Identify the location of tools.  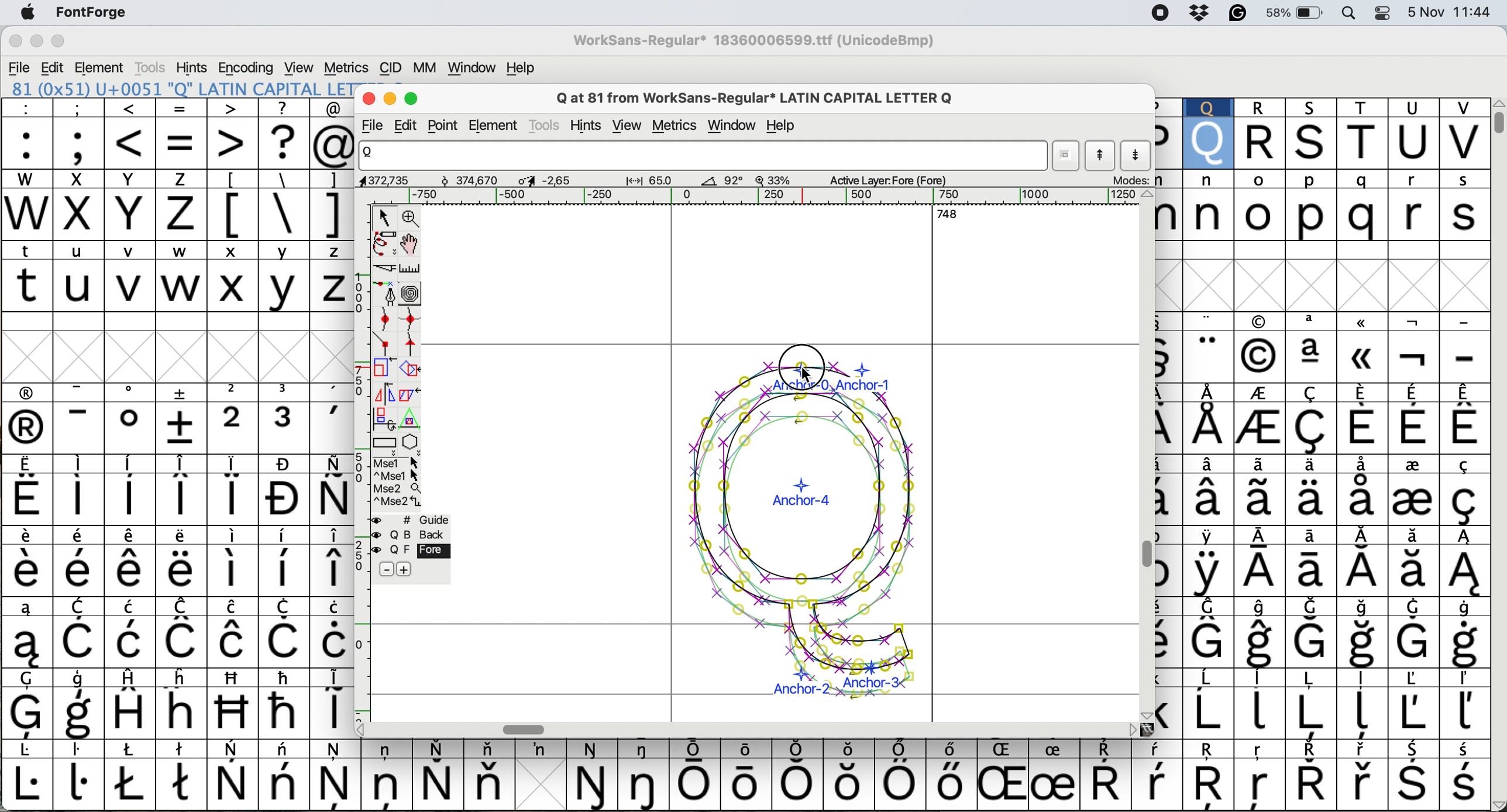
(544, 126).